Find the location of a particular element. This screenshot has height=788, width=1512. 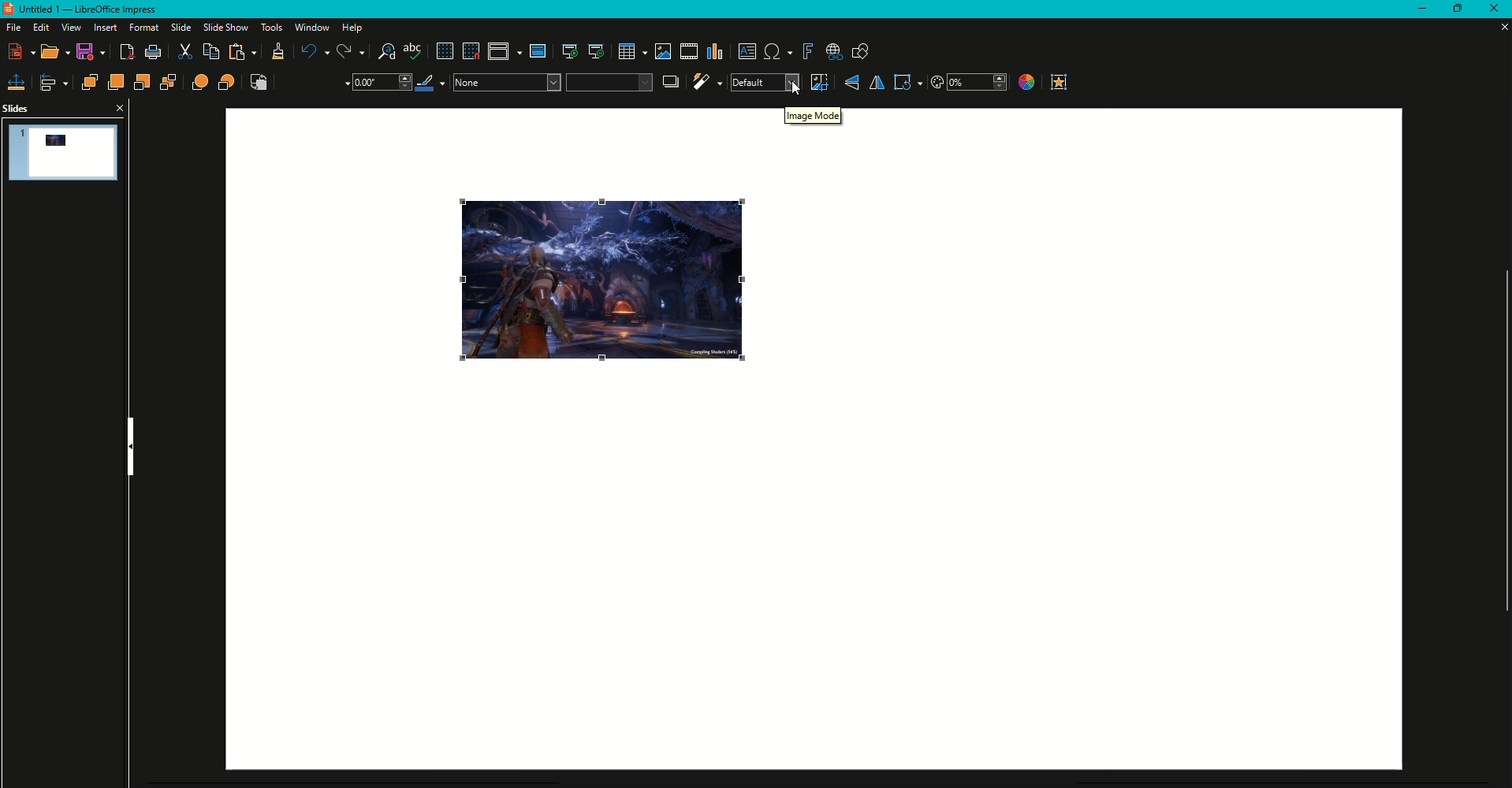

Edit is located at coordinates (39, 28).